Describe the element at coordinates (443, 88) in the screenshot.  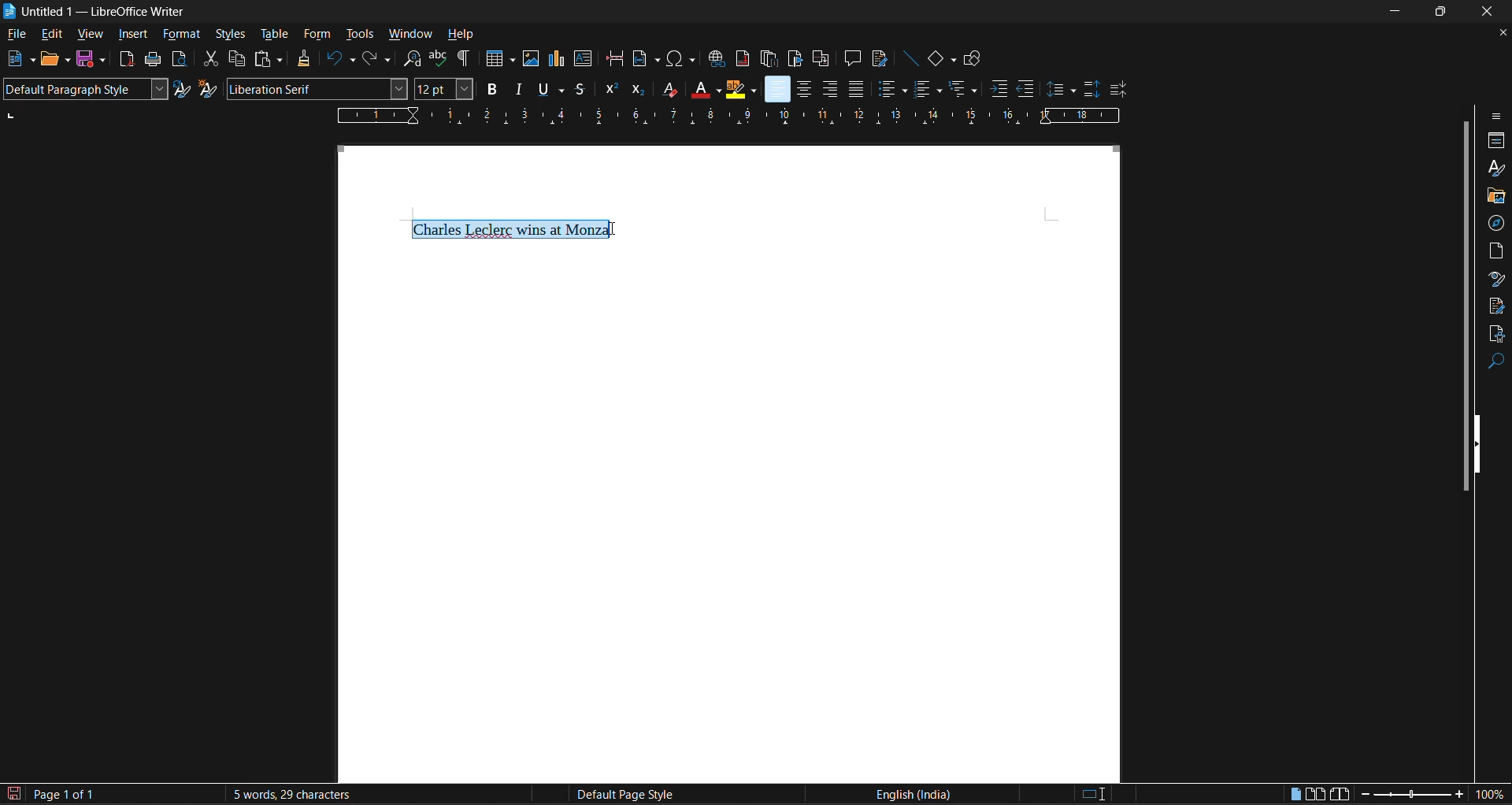
I see `font size` at that location.